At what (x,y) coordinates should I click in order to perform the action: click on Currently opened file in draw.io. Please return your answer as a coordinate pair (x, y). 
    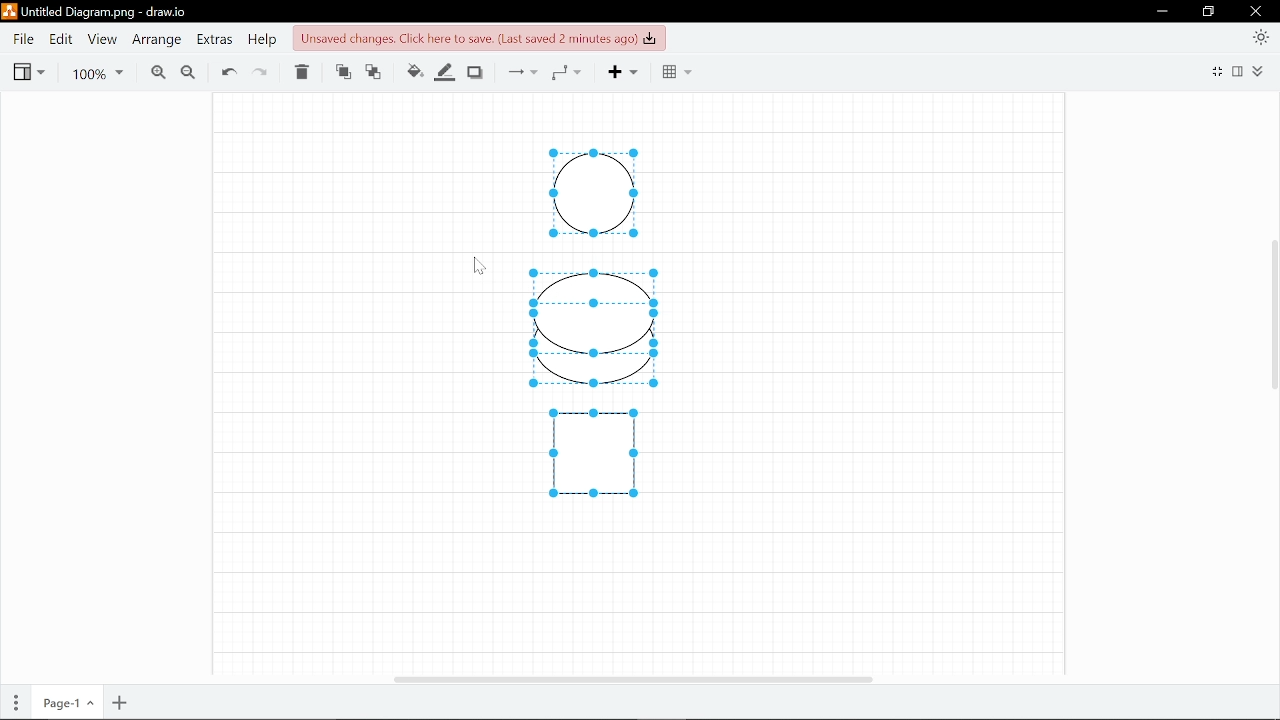
    Looking at the image, I should click on (98, 13).